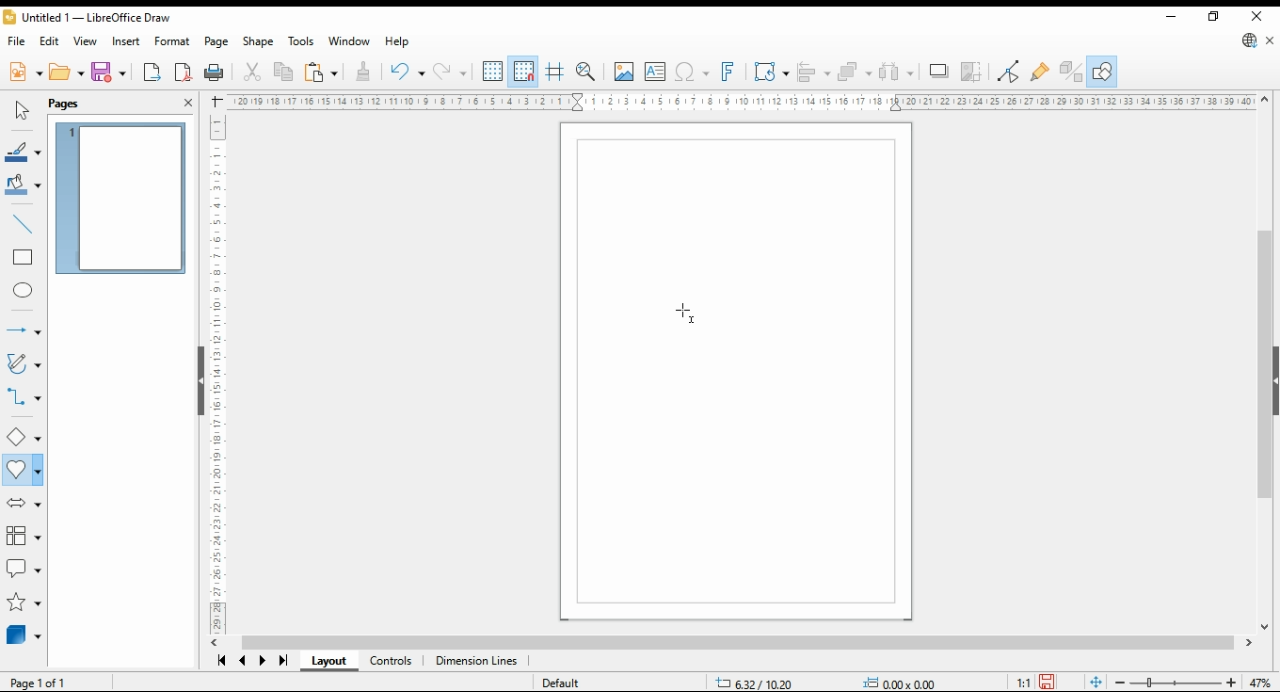 Image resolution: width=1280 pixels, height=692 pixels. I want to click on Default, so click(563, 678).